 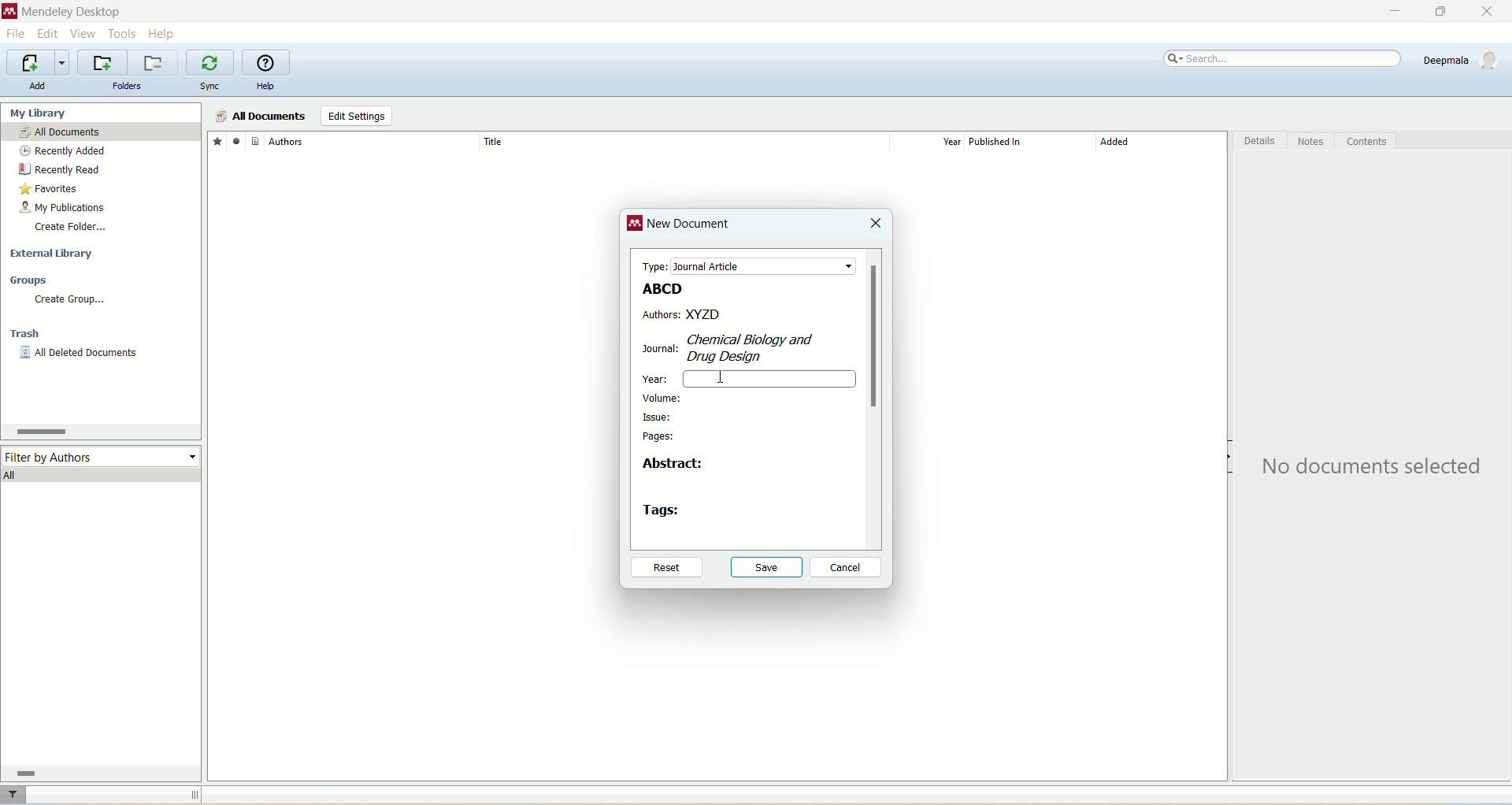 What do you see at coordinates (102, 63) in the screenshot?
I see `create a new folder` at bounding box center [102, 63].